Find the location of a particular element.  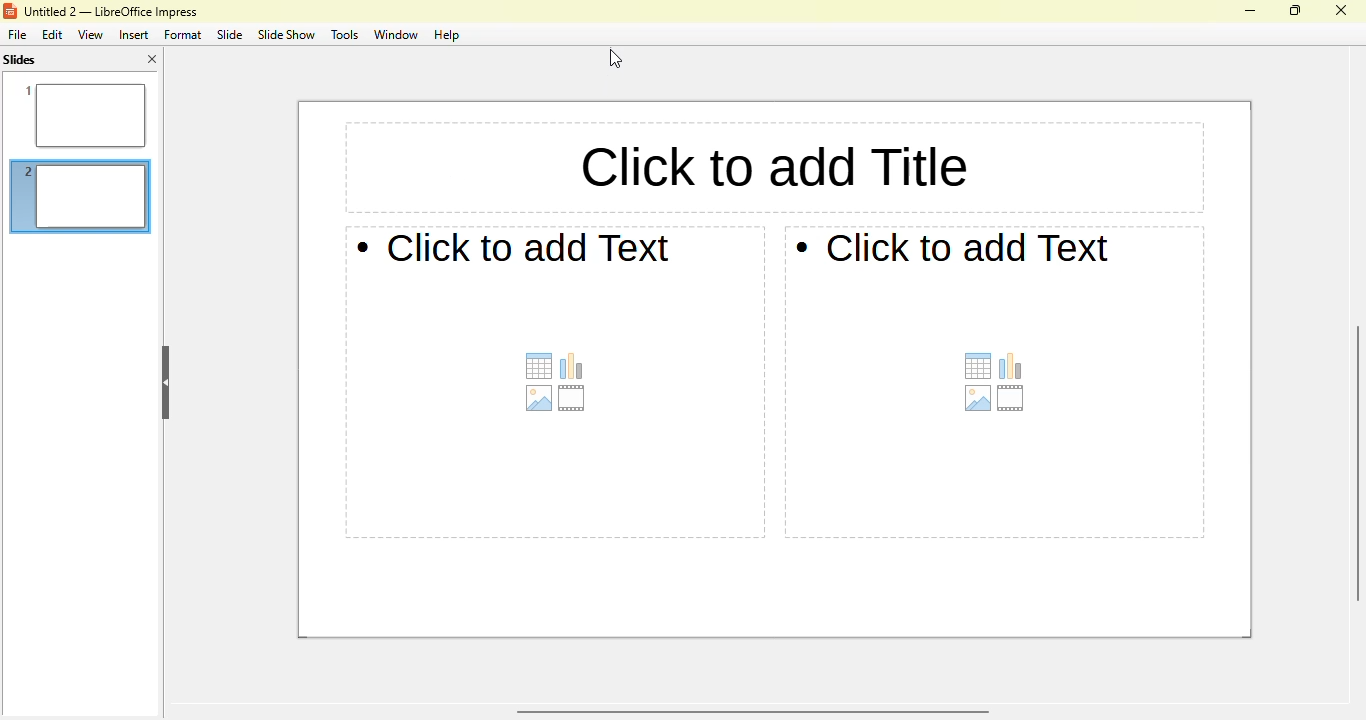

maximize is located at coordinates (1296, 10).